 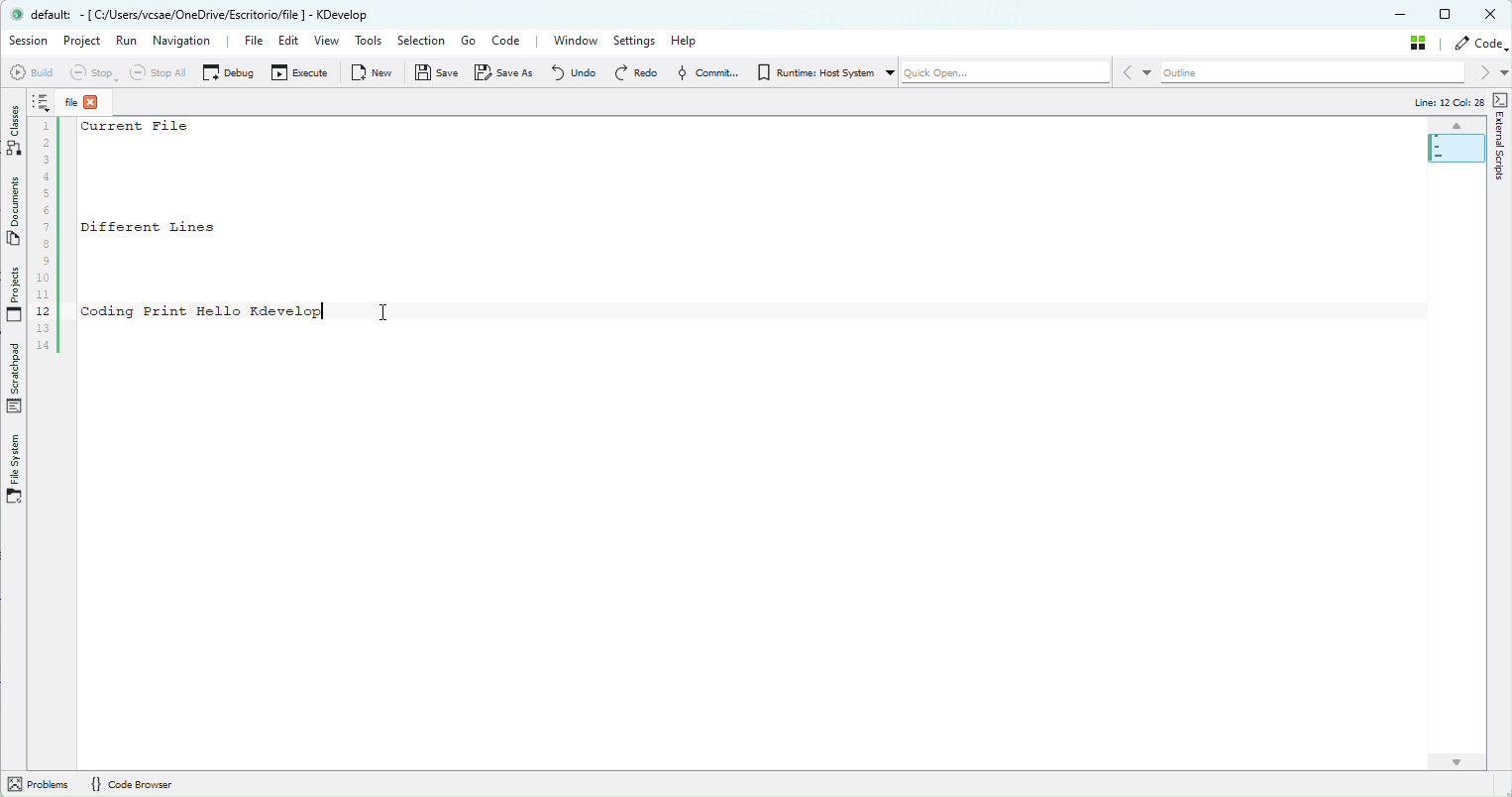 I want to click on File, so click(x=260, y=44).